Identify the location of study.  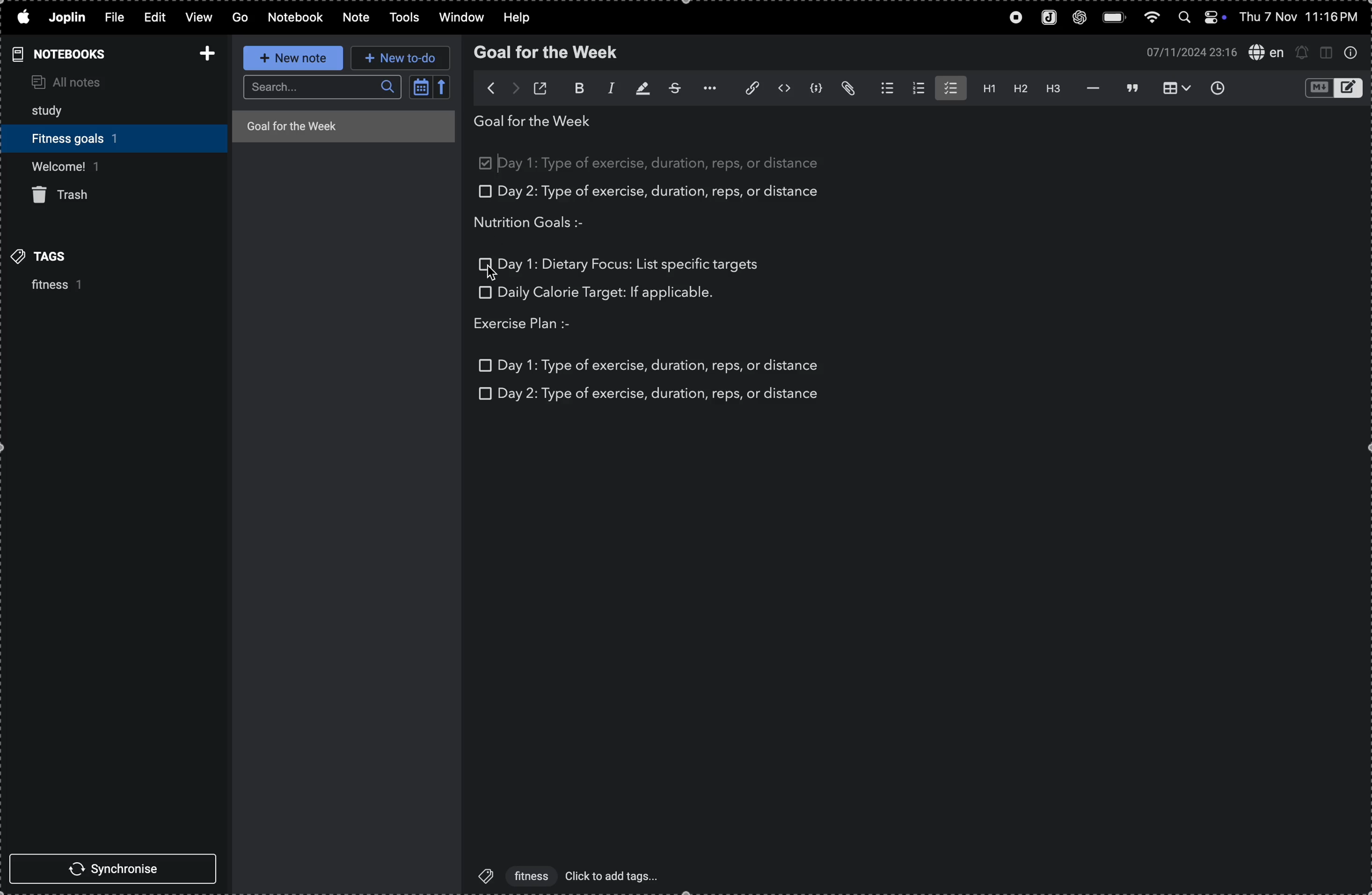
(56, 108).